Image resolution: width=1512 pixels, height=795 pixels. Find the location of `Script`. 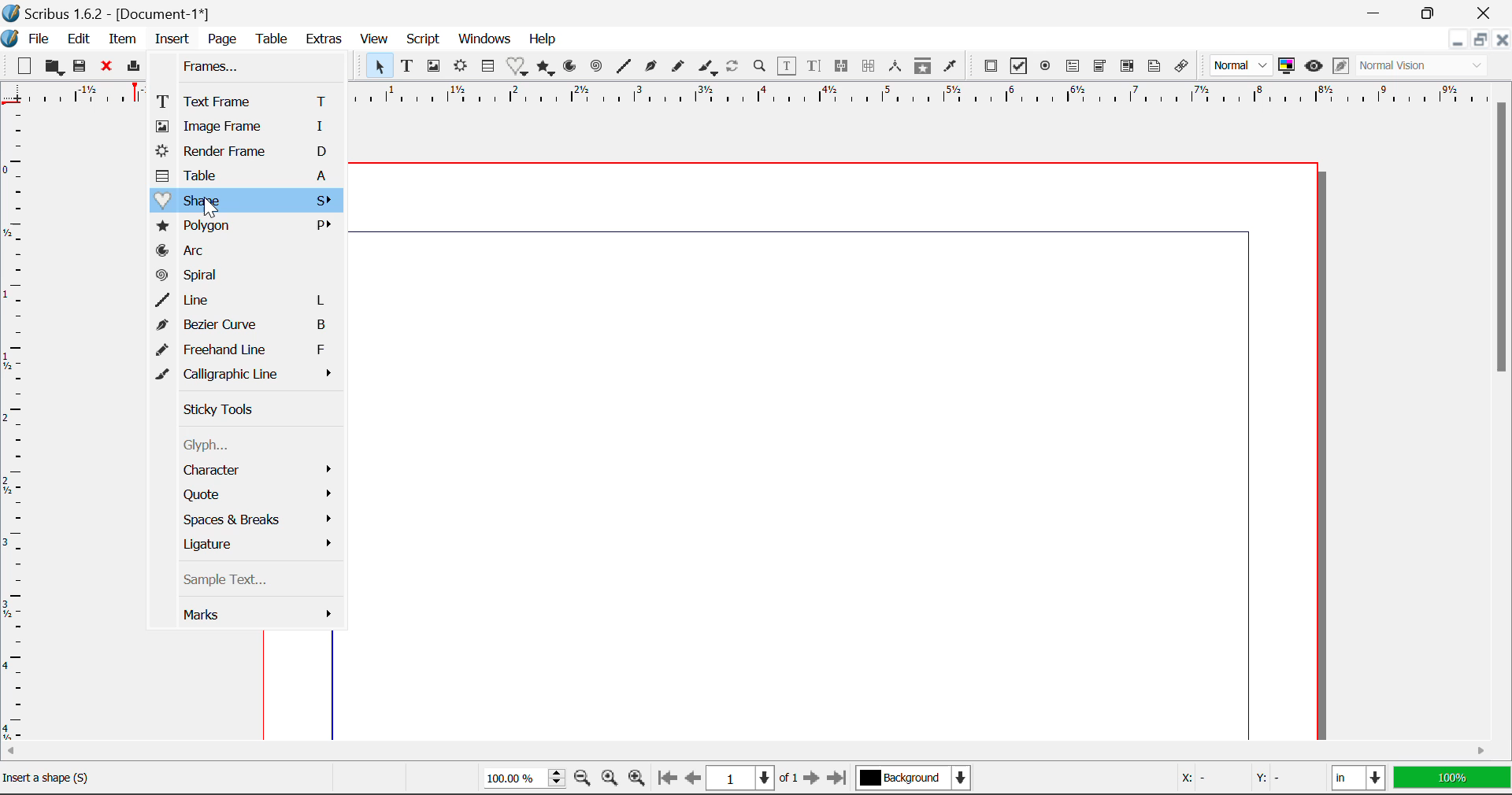

Script is located at coordinates (422, 41).